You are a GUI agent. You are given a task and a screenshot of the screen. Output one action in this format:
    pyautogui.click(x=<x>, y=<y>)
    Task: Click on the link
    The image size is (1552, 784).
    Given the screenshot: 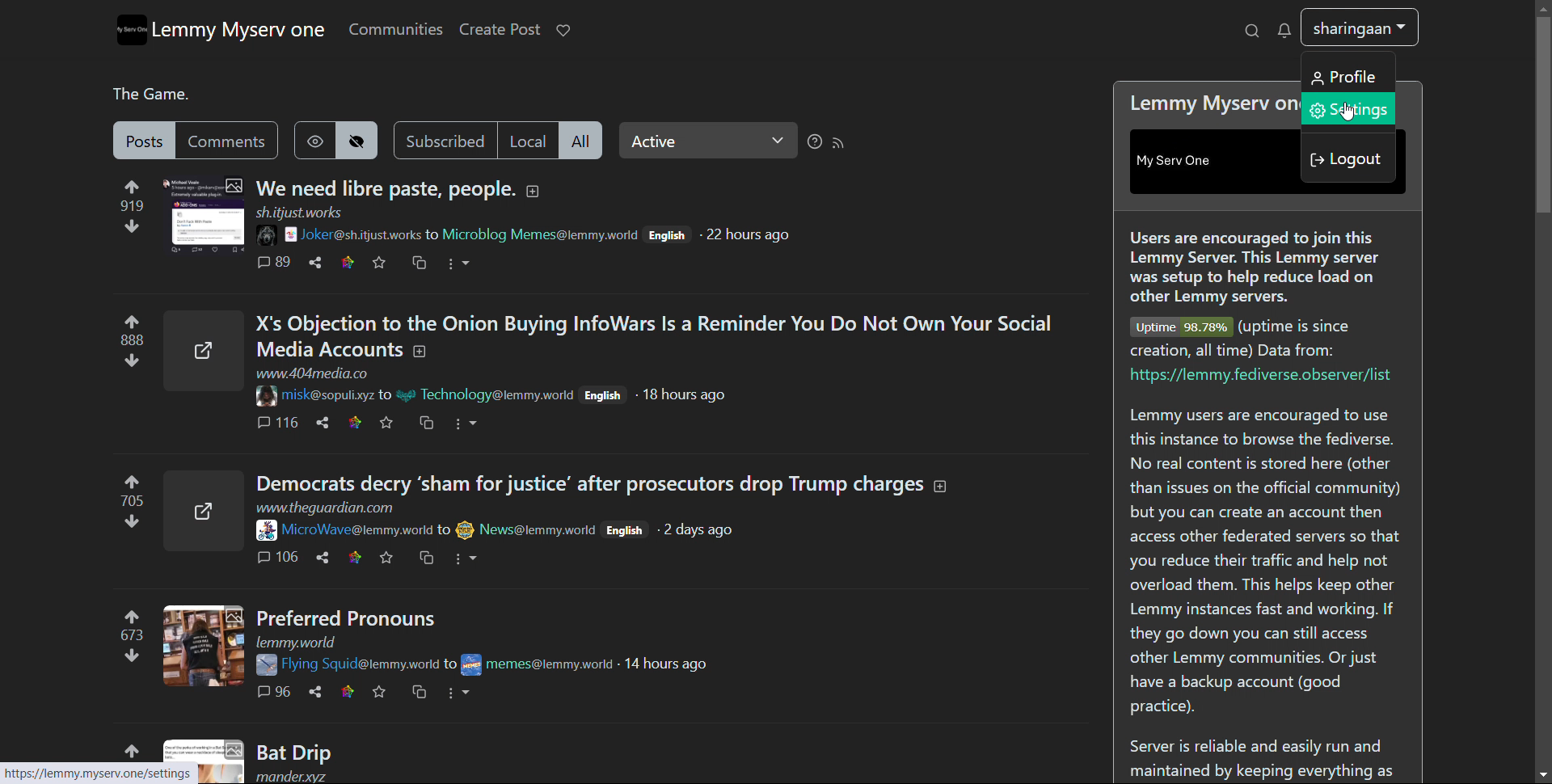 What is the action you would take?
    pyautogui.click(x=353, y=690)
    